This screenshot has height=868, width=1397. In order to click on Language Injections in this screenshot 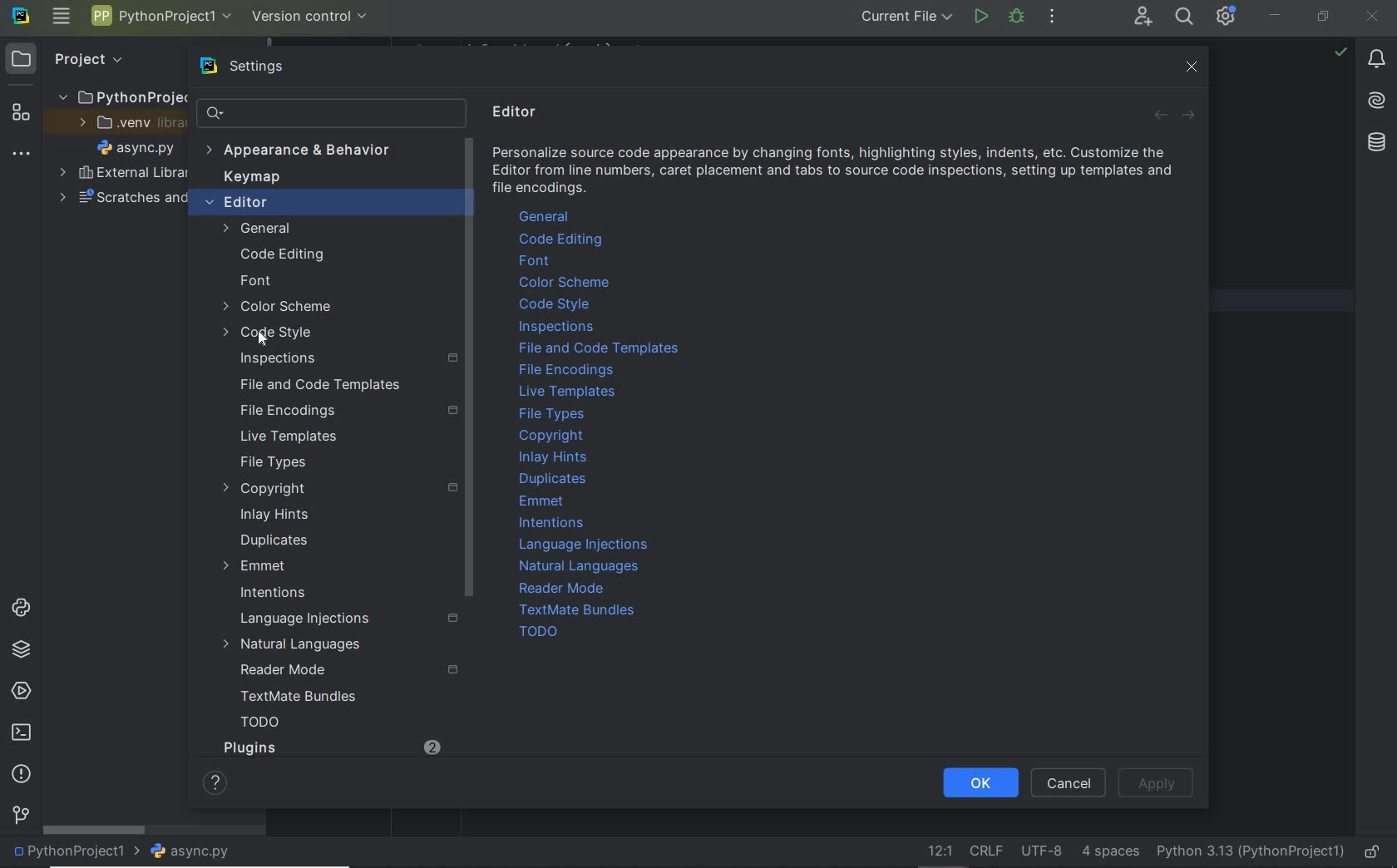, I will do `click(585, 545)`.